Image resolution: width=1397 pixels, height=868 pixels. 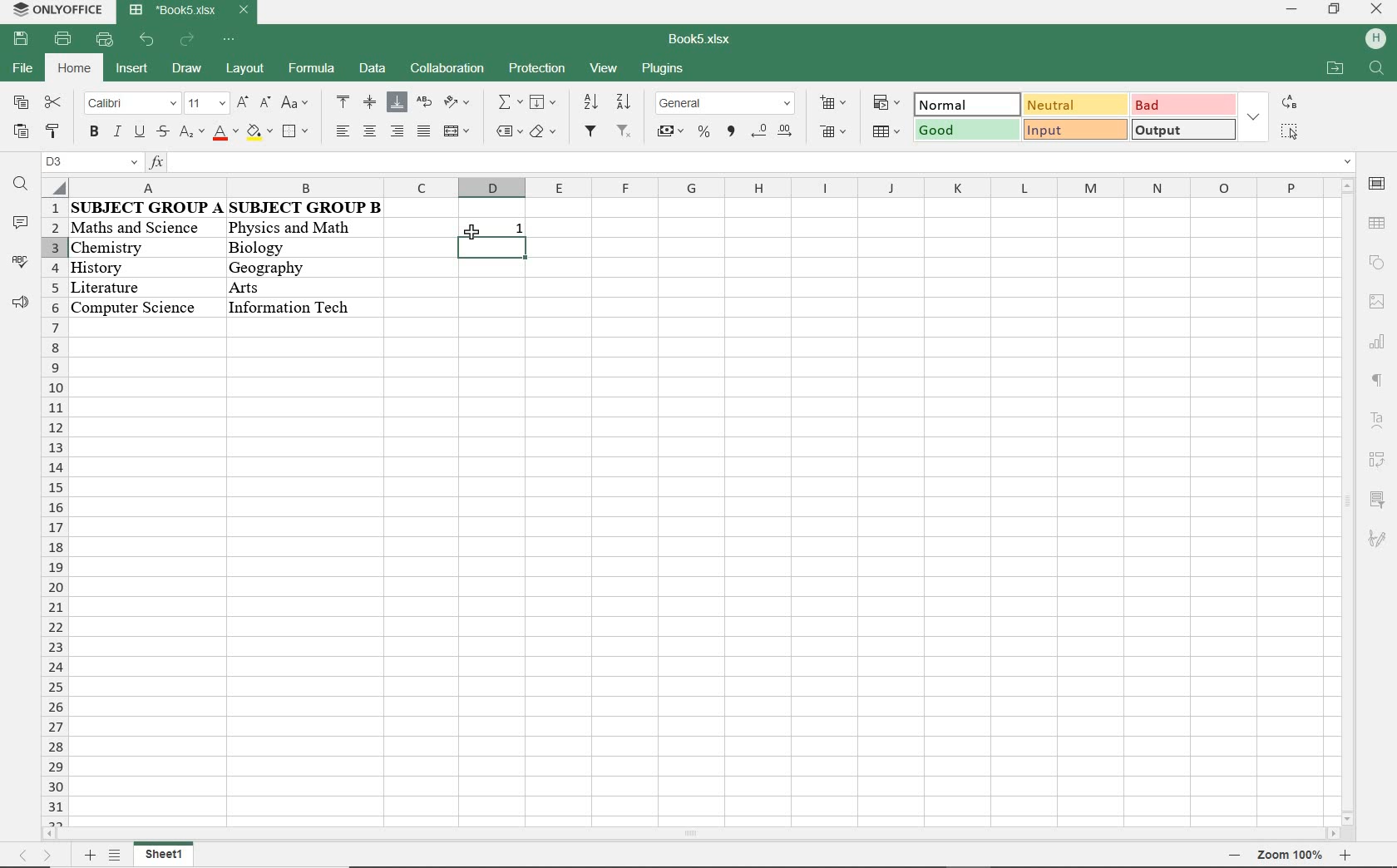 What do you see at coordinates (1334, 67) in the screenshot?
I see `open file location` at bounding box center [1334, 67].